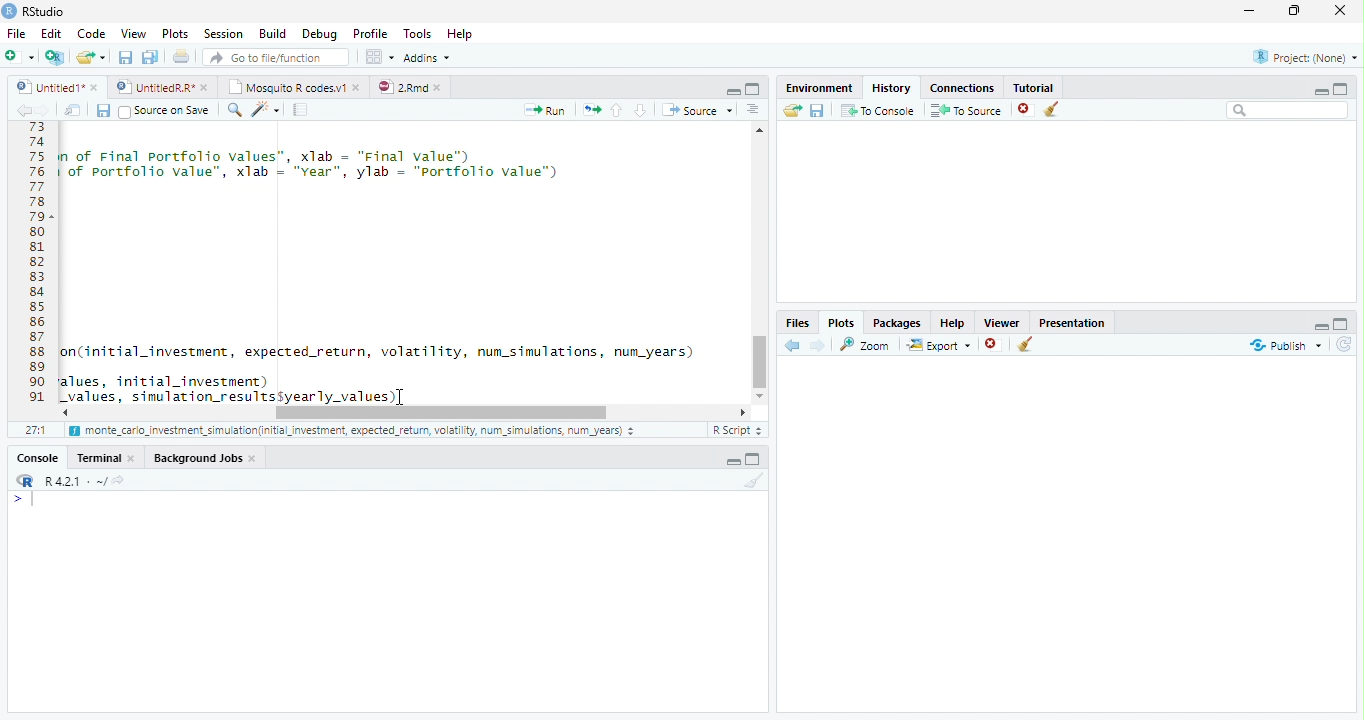 This screenshot has height=720, width=1364. Describe the element at coordinates (732, 461) in the screenshot. I see `Hide` at that location.